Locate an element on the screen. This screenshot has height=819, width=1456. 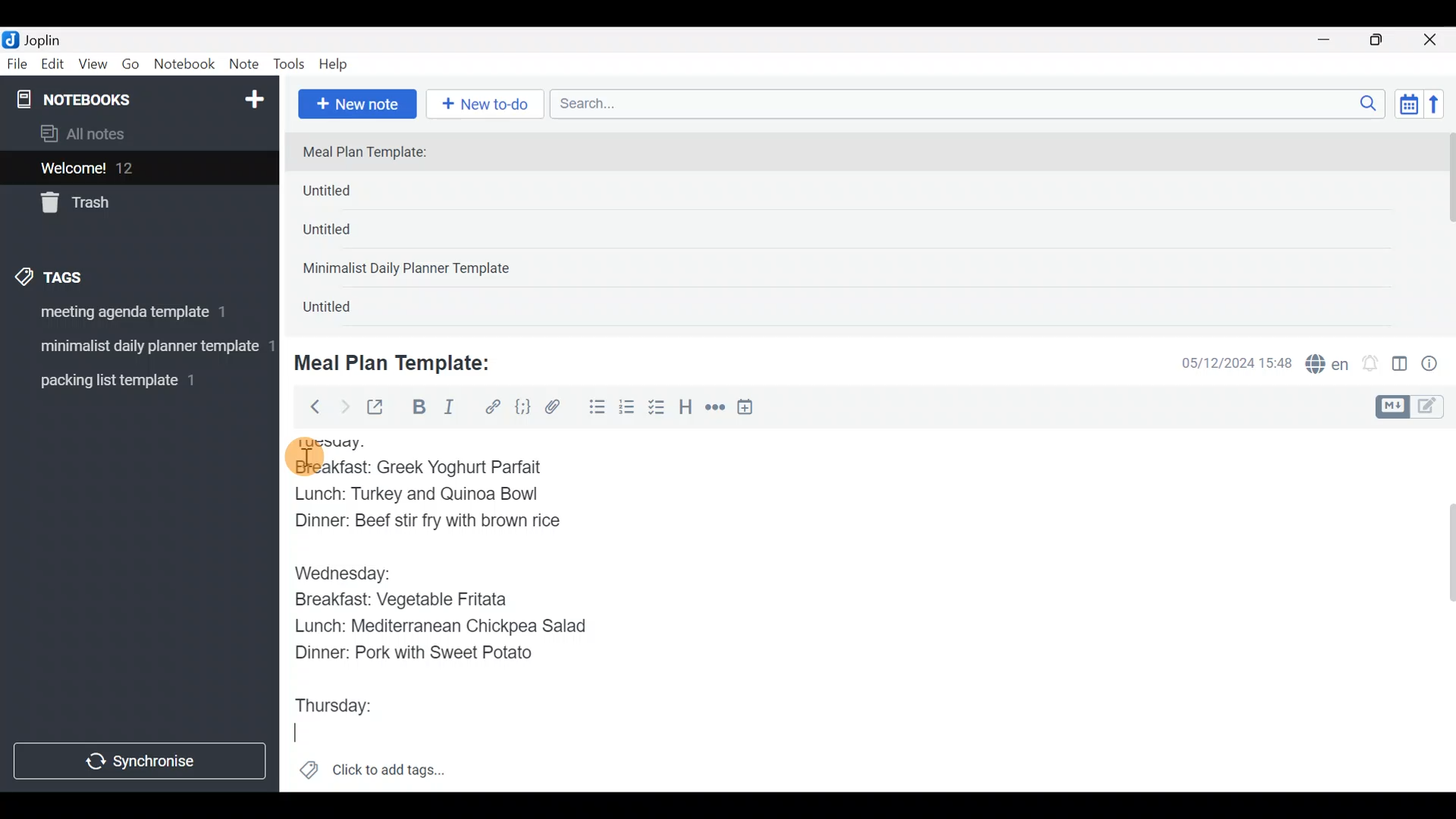
Go is located at coordinates (130, 67).